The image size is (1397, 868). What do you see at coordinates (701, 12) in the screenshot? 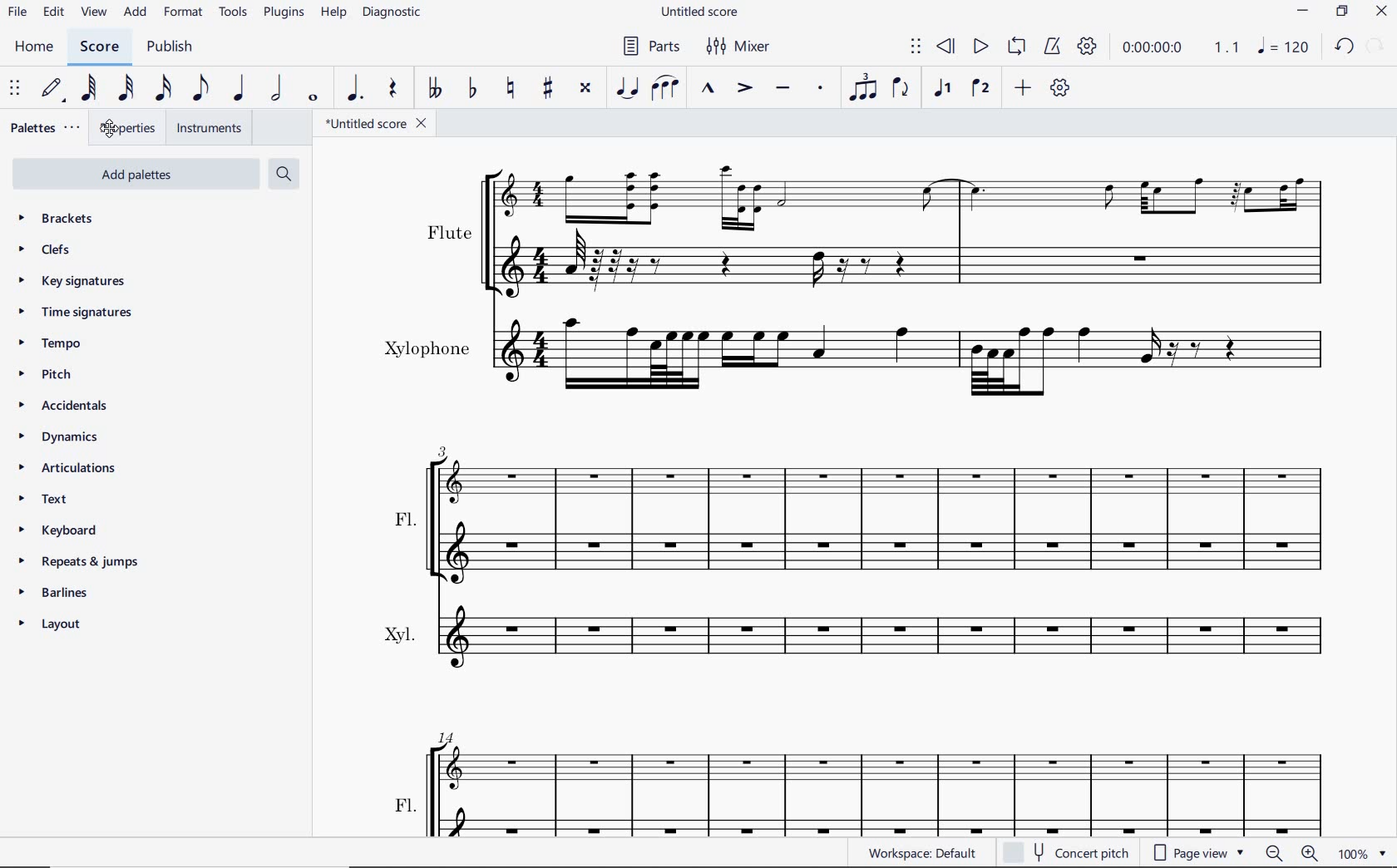
I see `FILE NAME` at bounding box center [701, 12].